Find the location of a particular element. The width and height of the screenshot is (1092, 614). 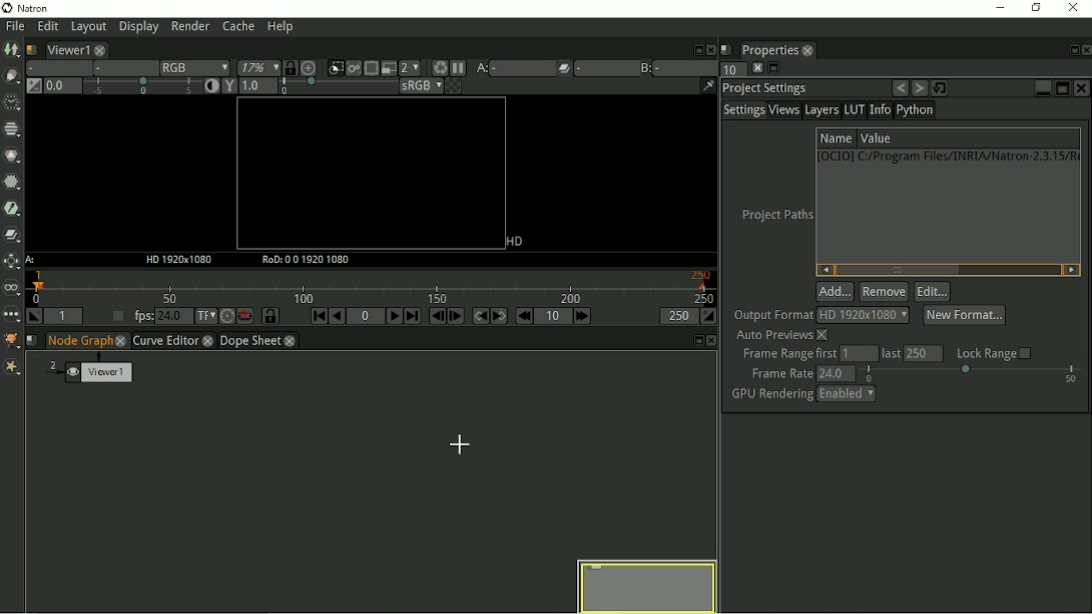

fps is located at coordinates (160, 316).